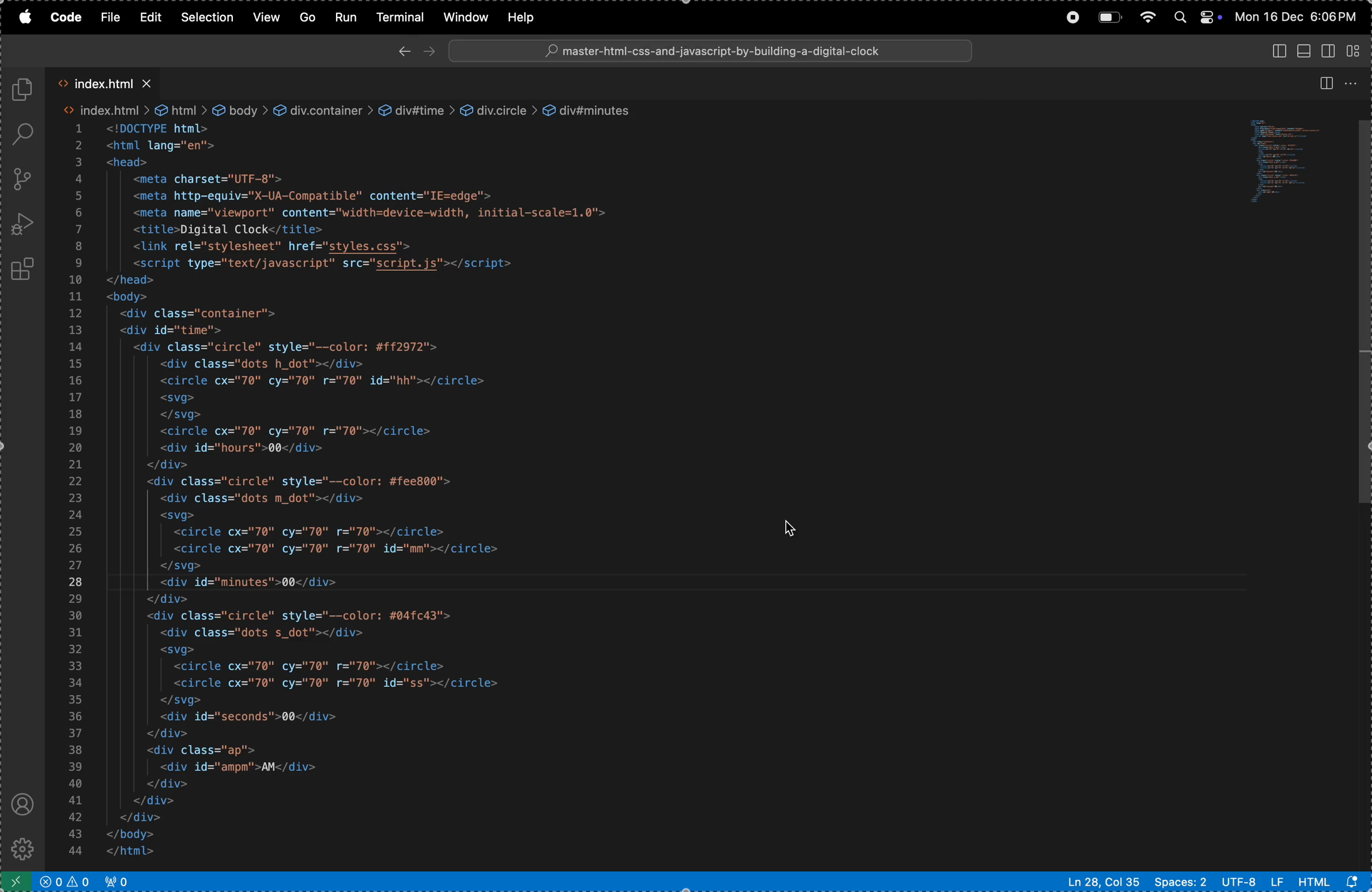 This screenshot has width=1372, height=892. I want to click on Go, so click(308, 16).